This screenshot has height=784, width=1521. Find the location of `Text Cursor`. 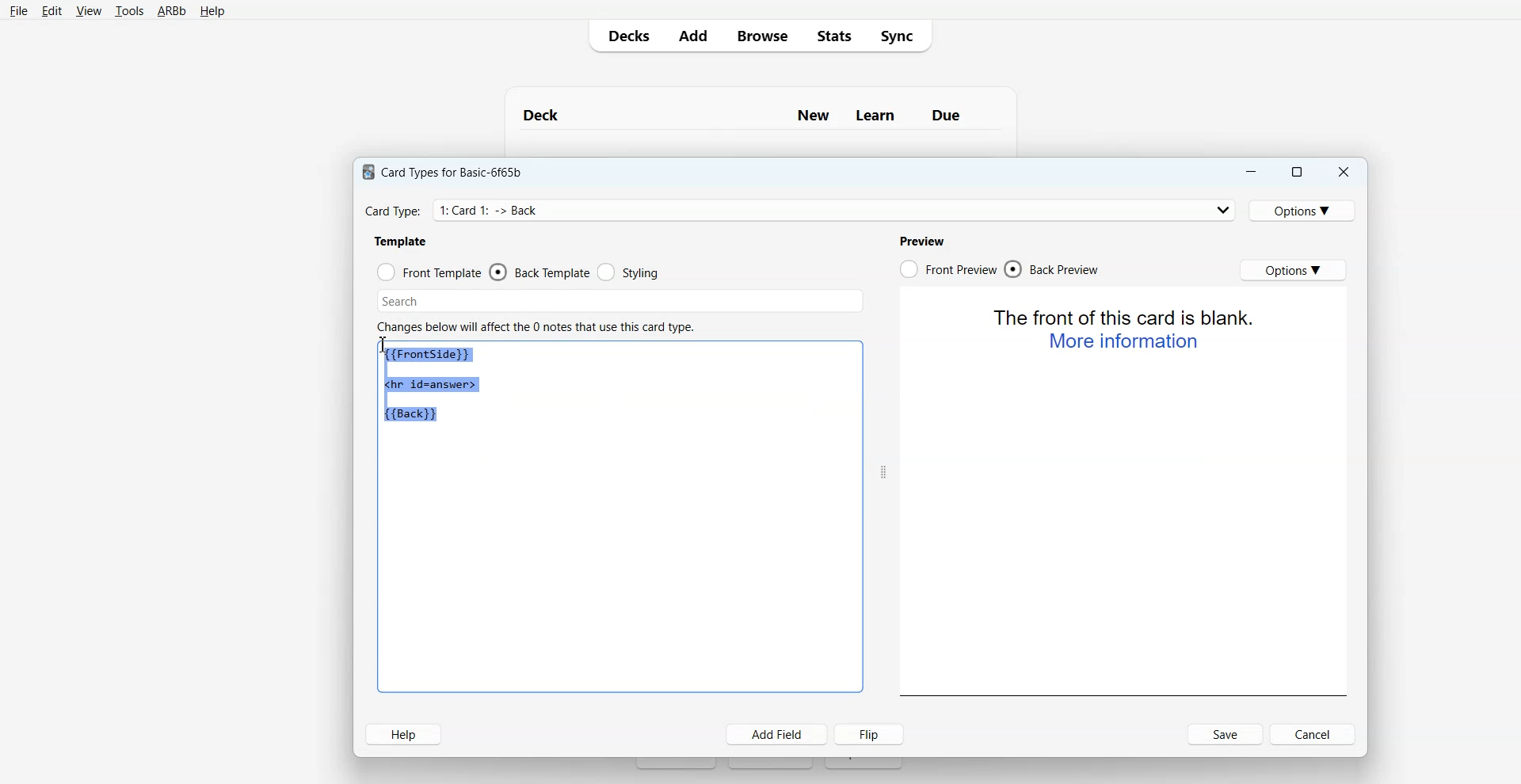

Text Cursor is located at coordinates (384, 344).